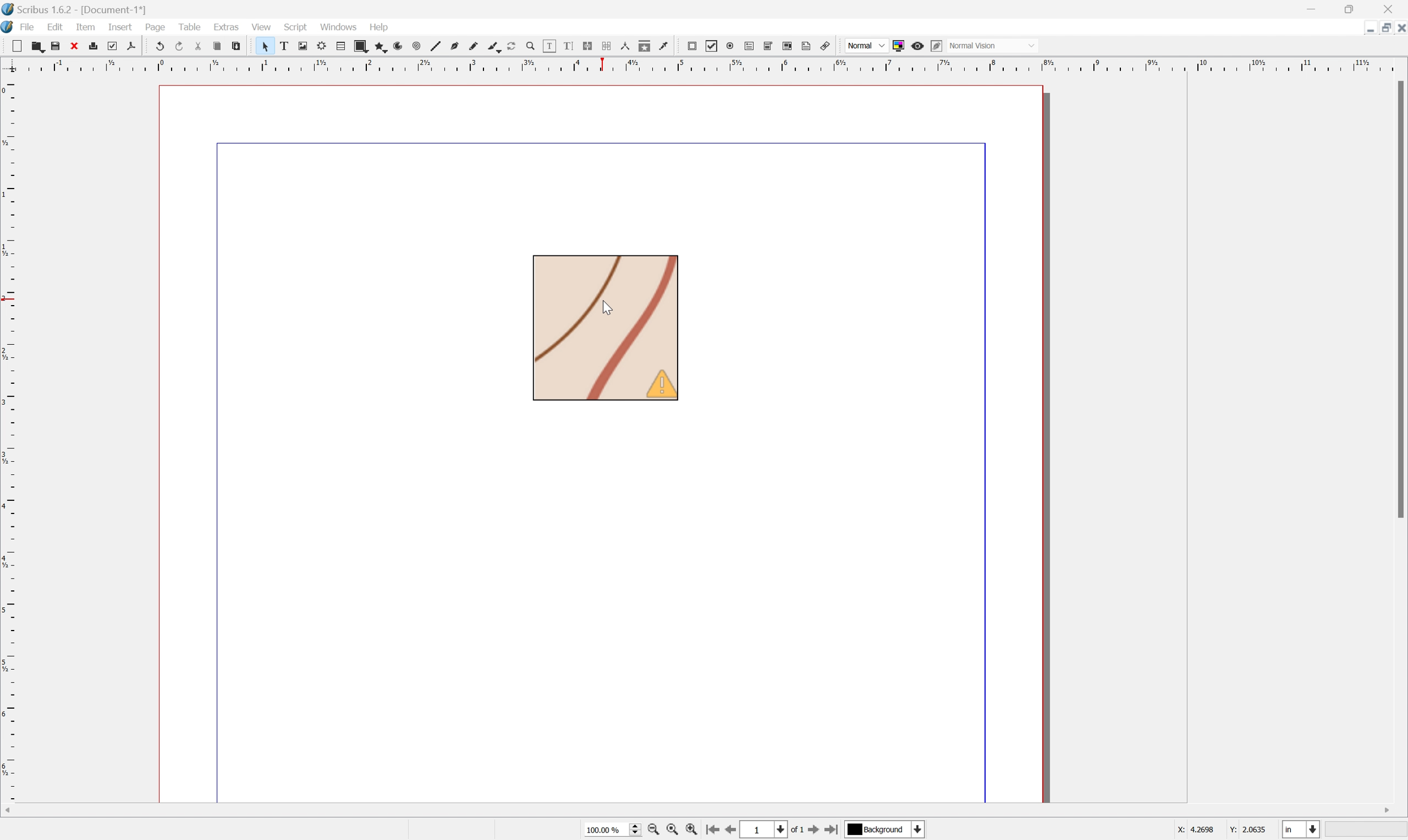 The height and width of the screenshot is (840, 1408). Describe the element at coordinates (1381, 29) in the screenshot. I see `Restore down` at that location.